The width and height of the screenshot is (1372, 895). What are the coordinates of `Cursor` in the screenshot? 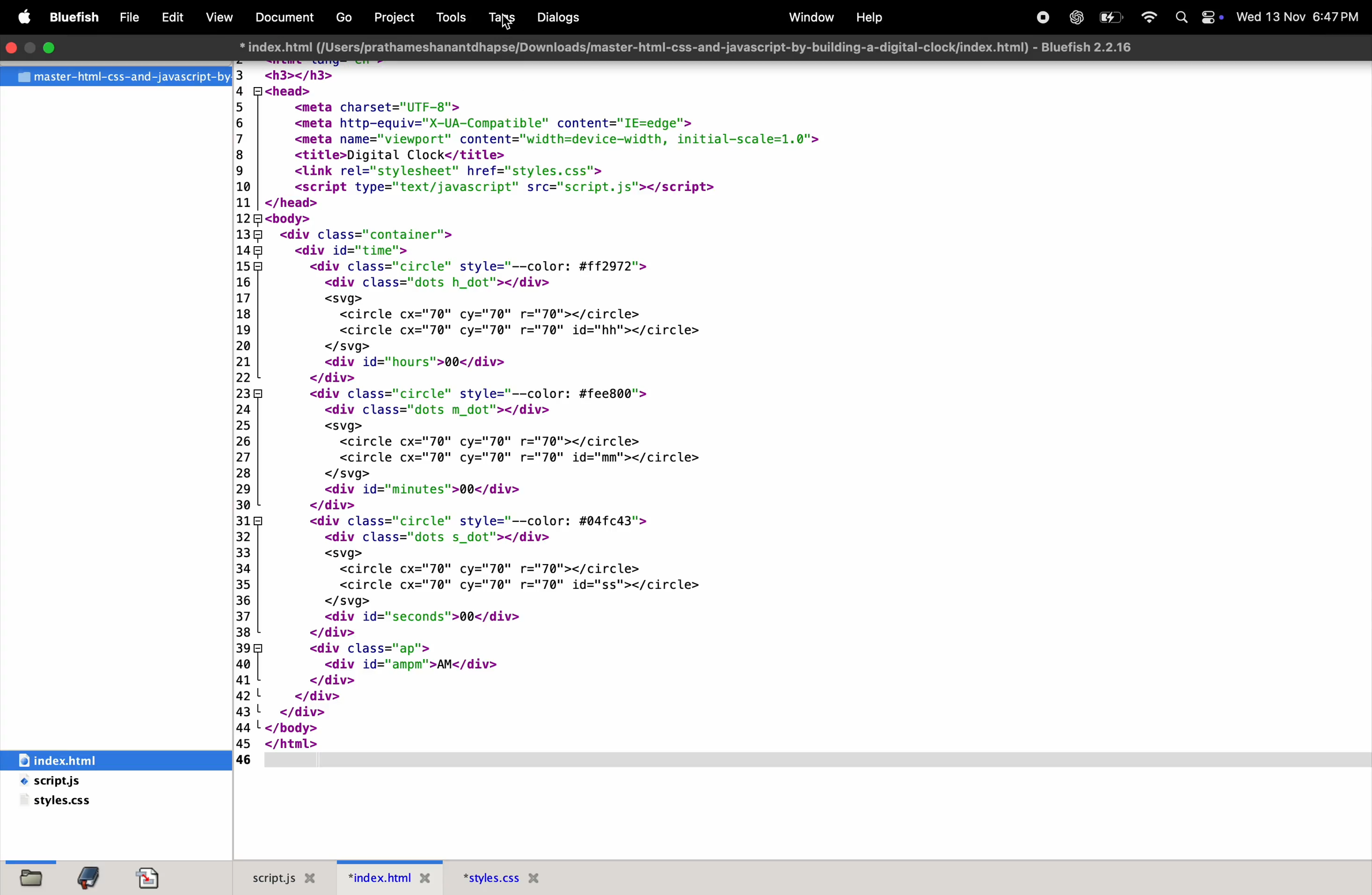 It's located at (506, 24).